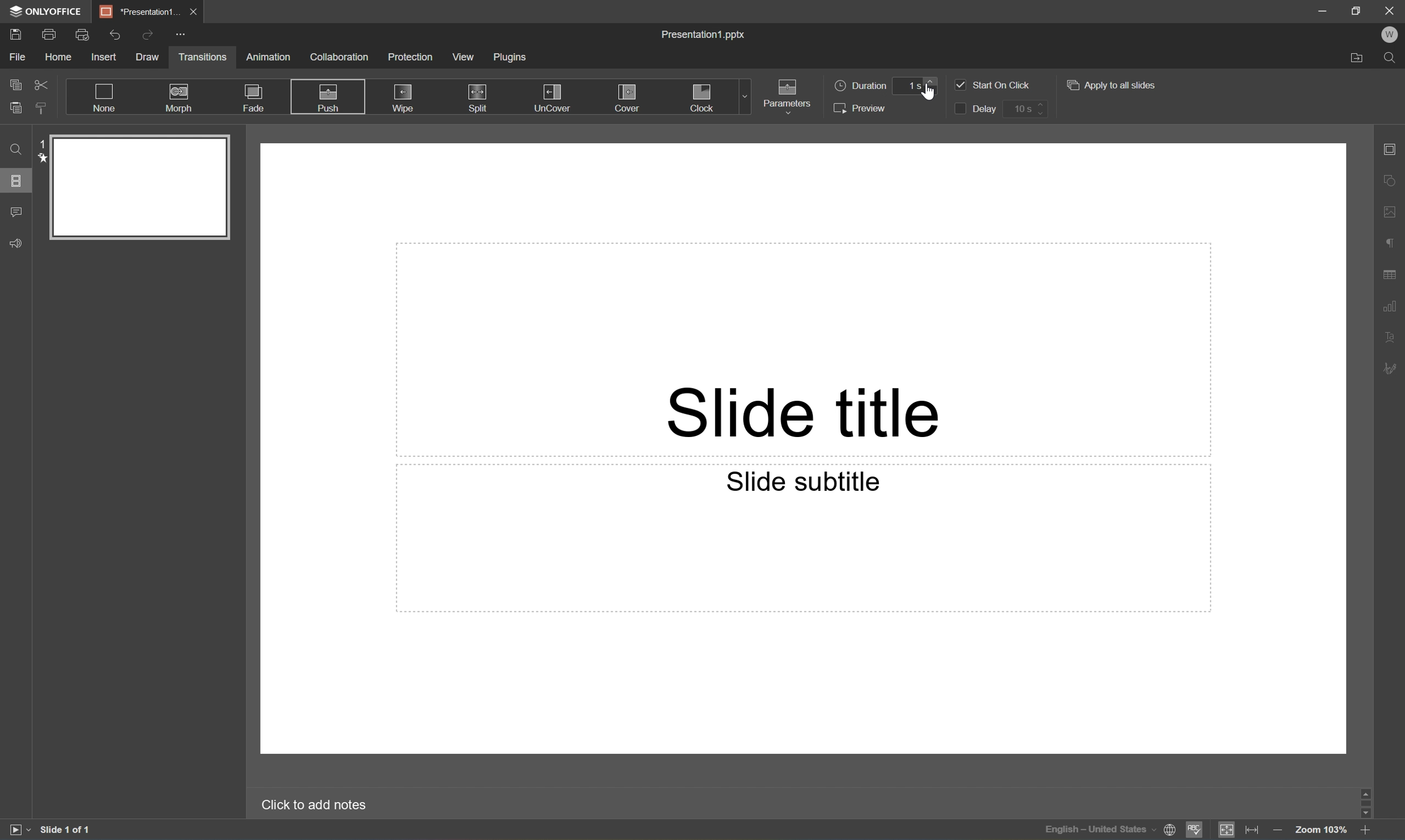 This screenshot has height=840, width=1405. I want to click on Close, so click(194, 11).